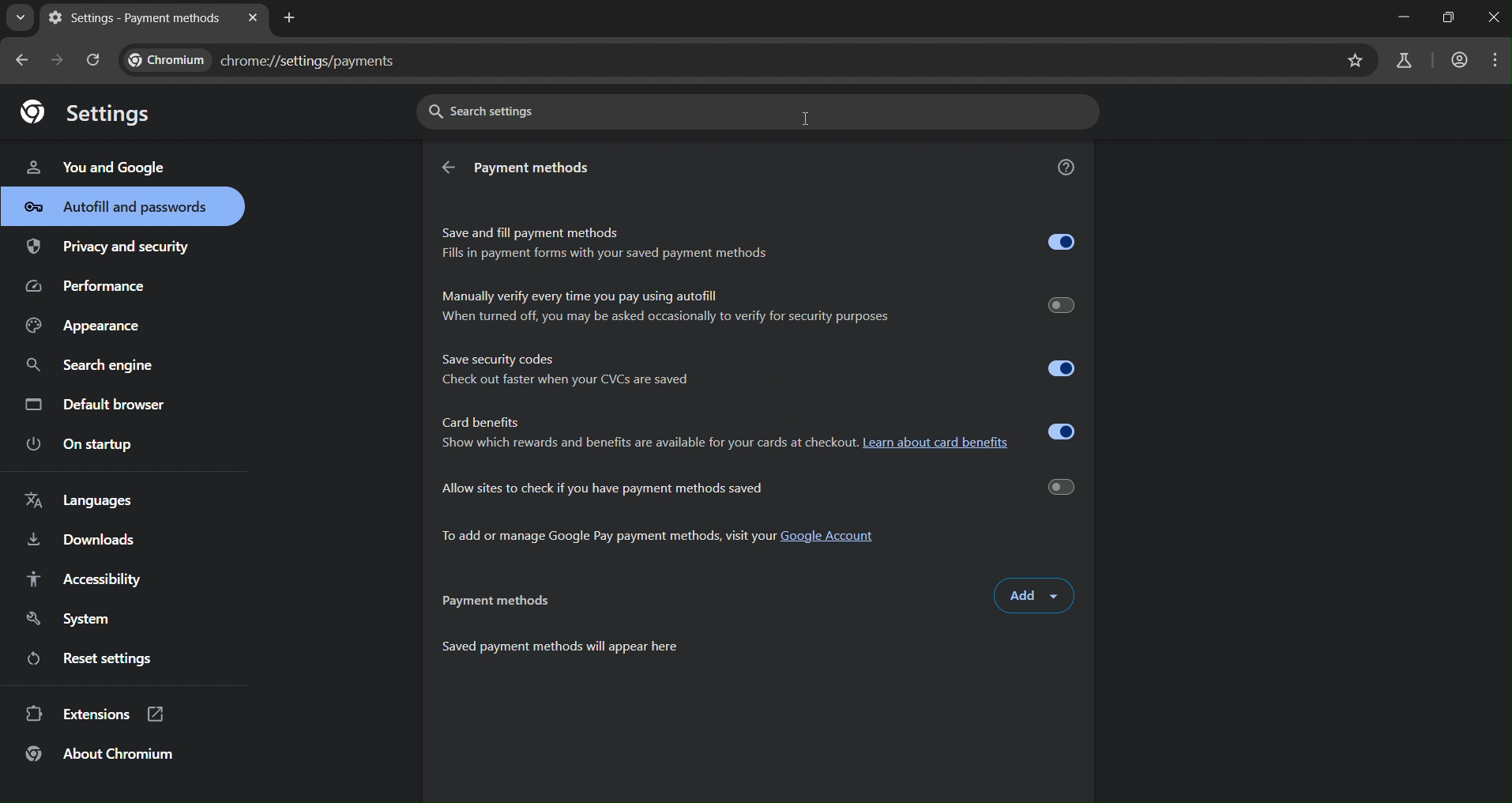 The width and height of the screenshot is (1512, 803). I want to click on Manually verify every time you pay using autofill
When turned off, you may be asked occasionally to verify for security purposes, so click(753, 306).